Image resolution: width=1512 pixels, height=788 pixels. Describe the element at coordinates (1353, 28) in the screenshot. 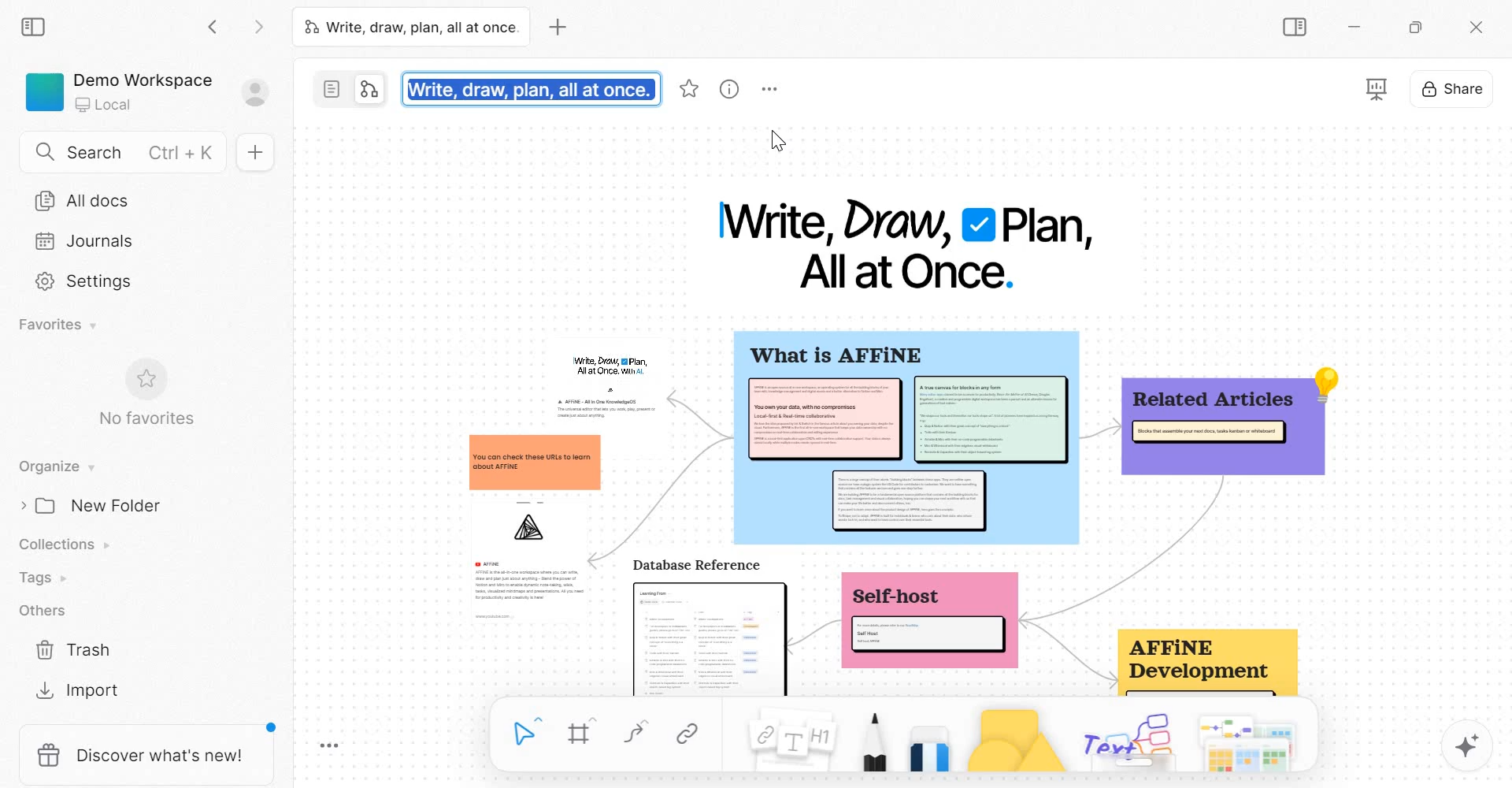

I see `Minimize` at that location.